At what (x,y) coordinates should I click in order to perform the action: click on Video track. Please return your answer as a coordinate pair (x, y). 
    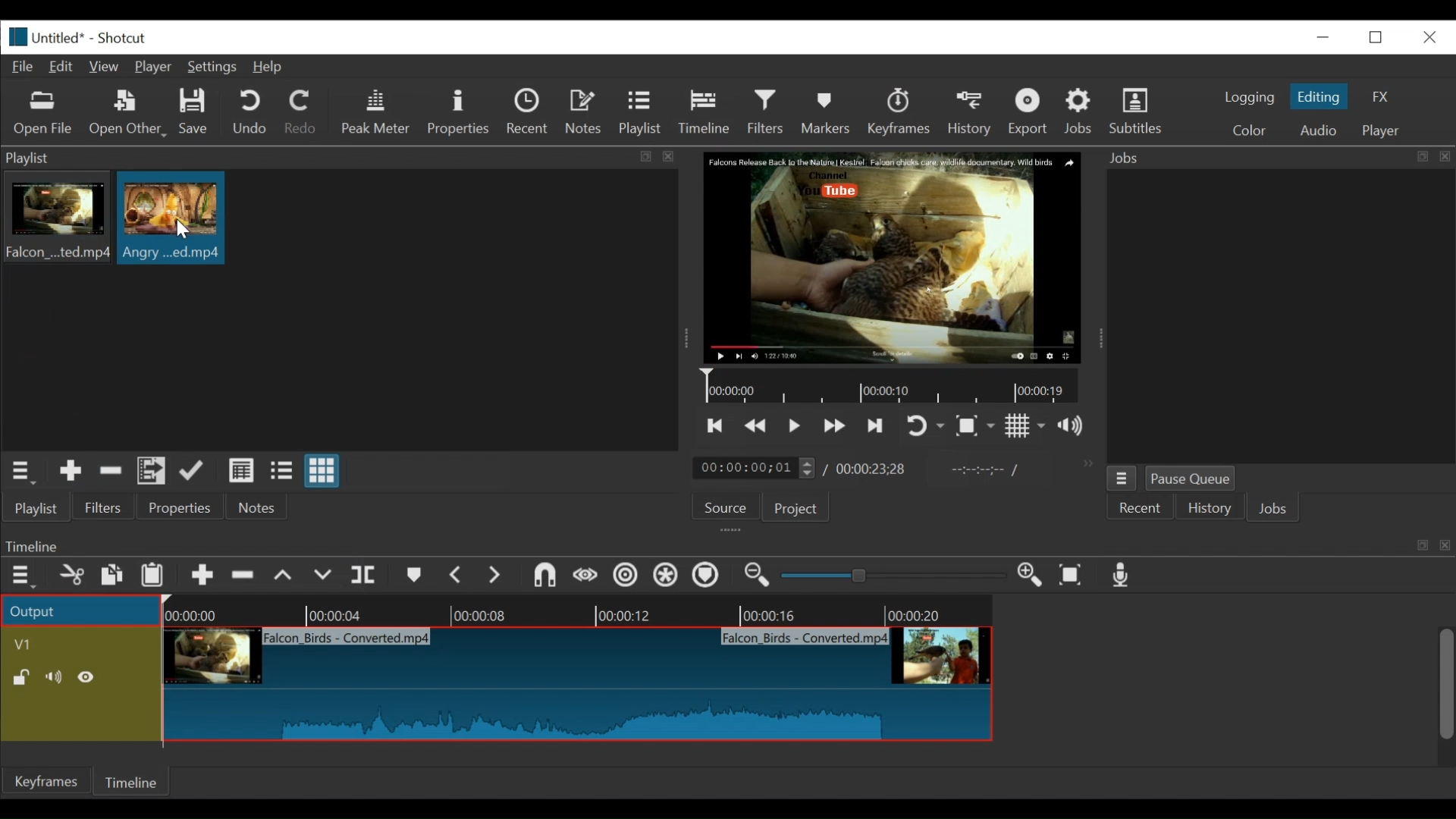
    Looking at the image, I should click on (81, 644).